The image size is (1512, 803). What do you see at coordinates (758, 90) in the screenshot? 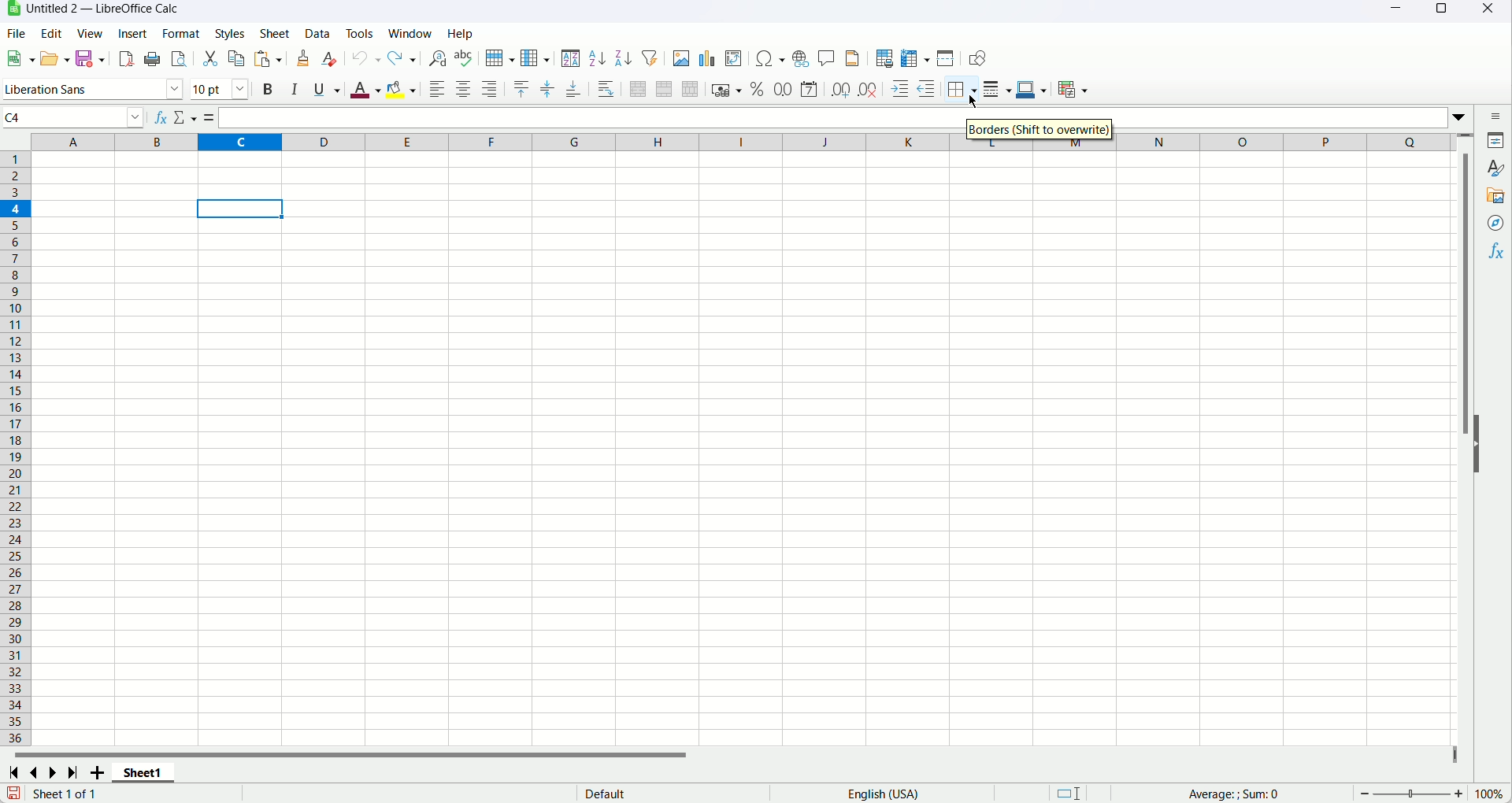
I see `Format as percent` at bounding box center [758, 90].